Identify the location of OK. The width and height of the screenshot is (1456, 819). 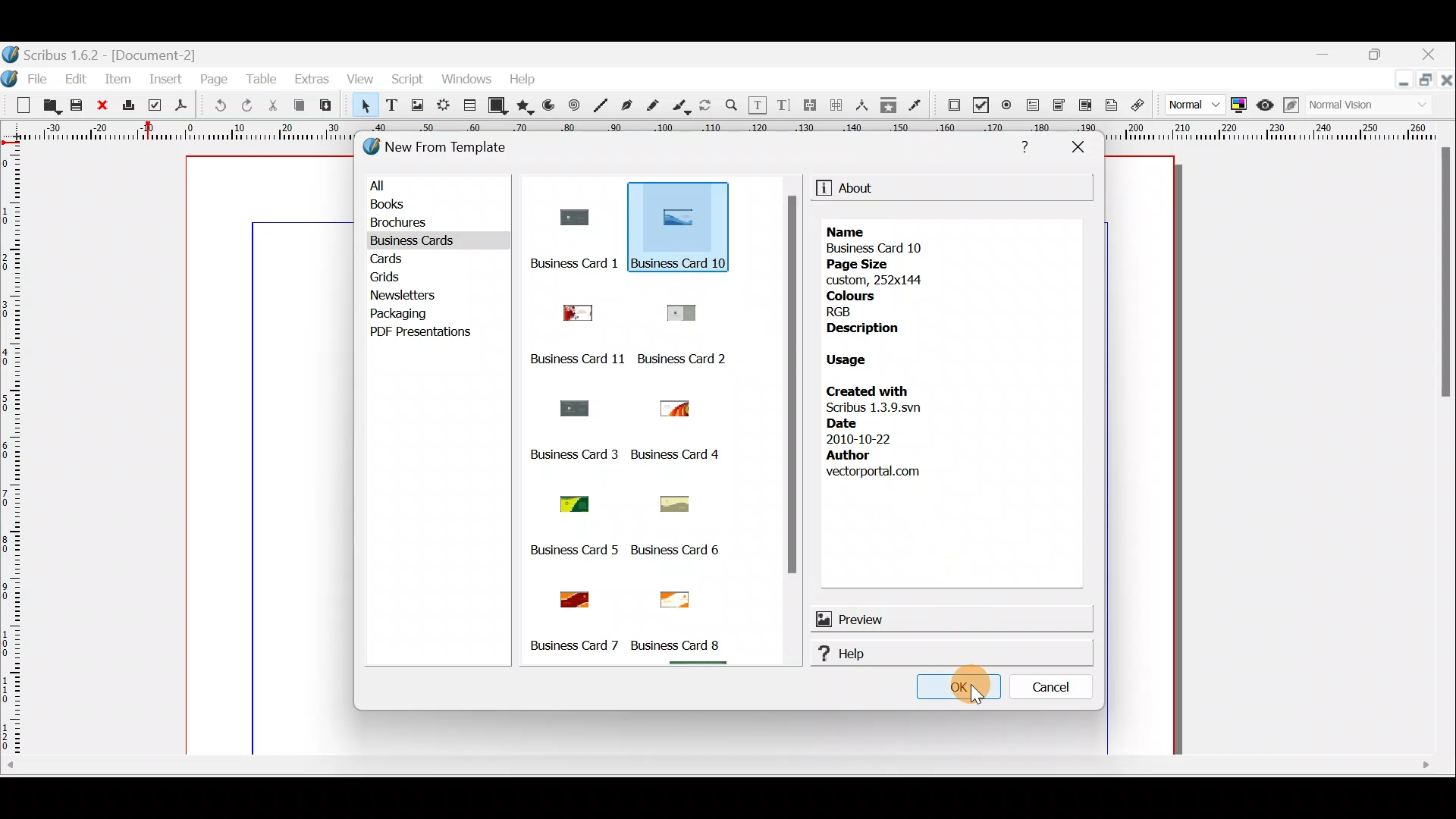
(958, 690).